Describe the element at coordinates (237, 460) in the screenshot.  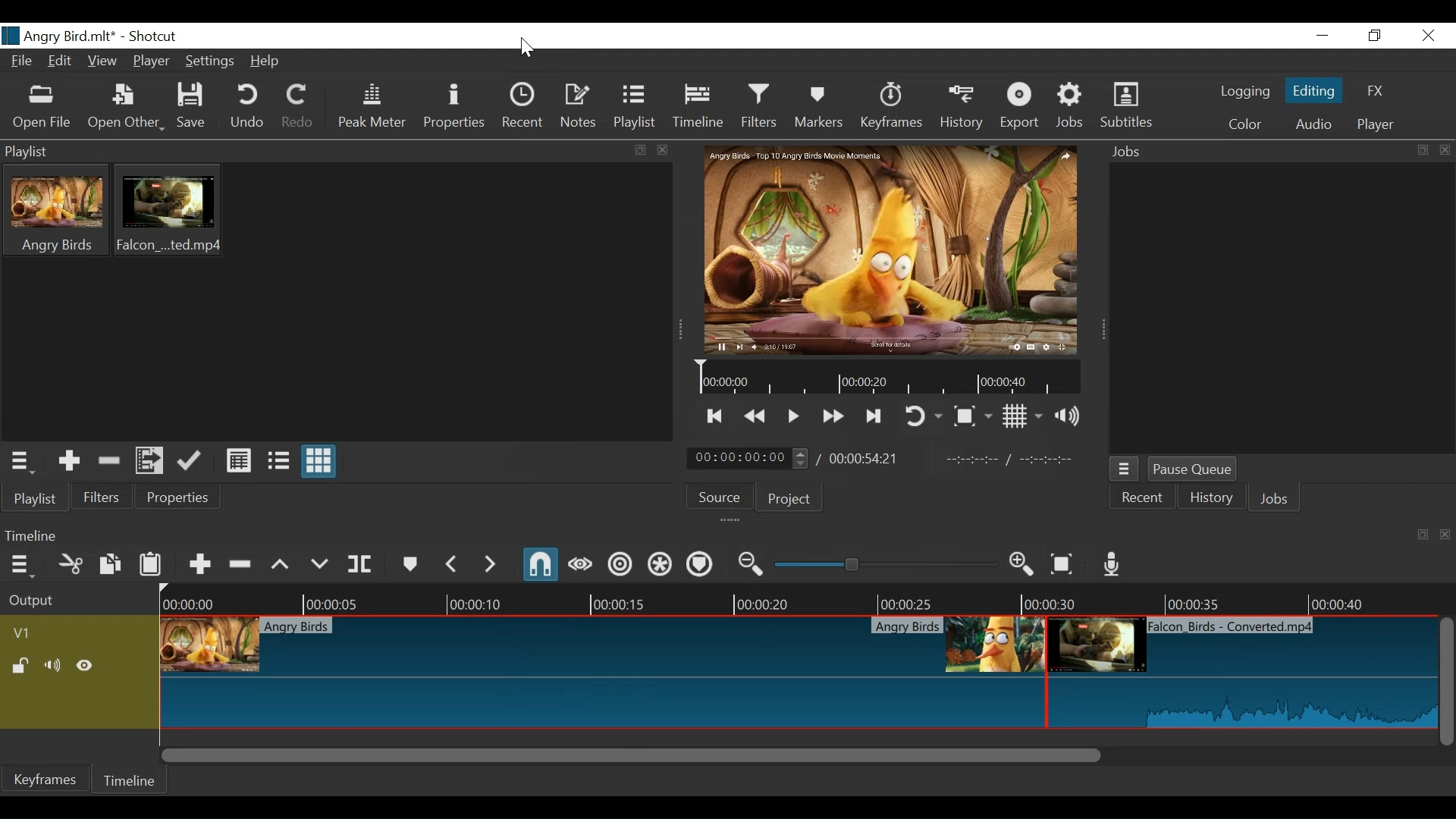
I see `View as detail` at that location.